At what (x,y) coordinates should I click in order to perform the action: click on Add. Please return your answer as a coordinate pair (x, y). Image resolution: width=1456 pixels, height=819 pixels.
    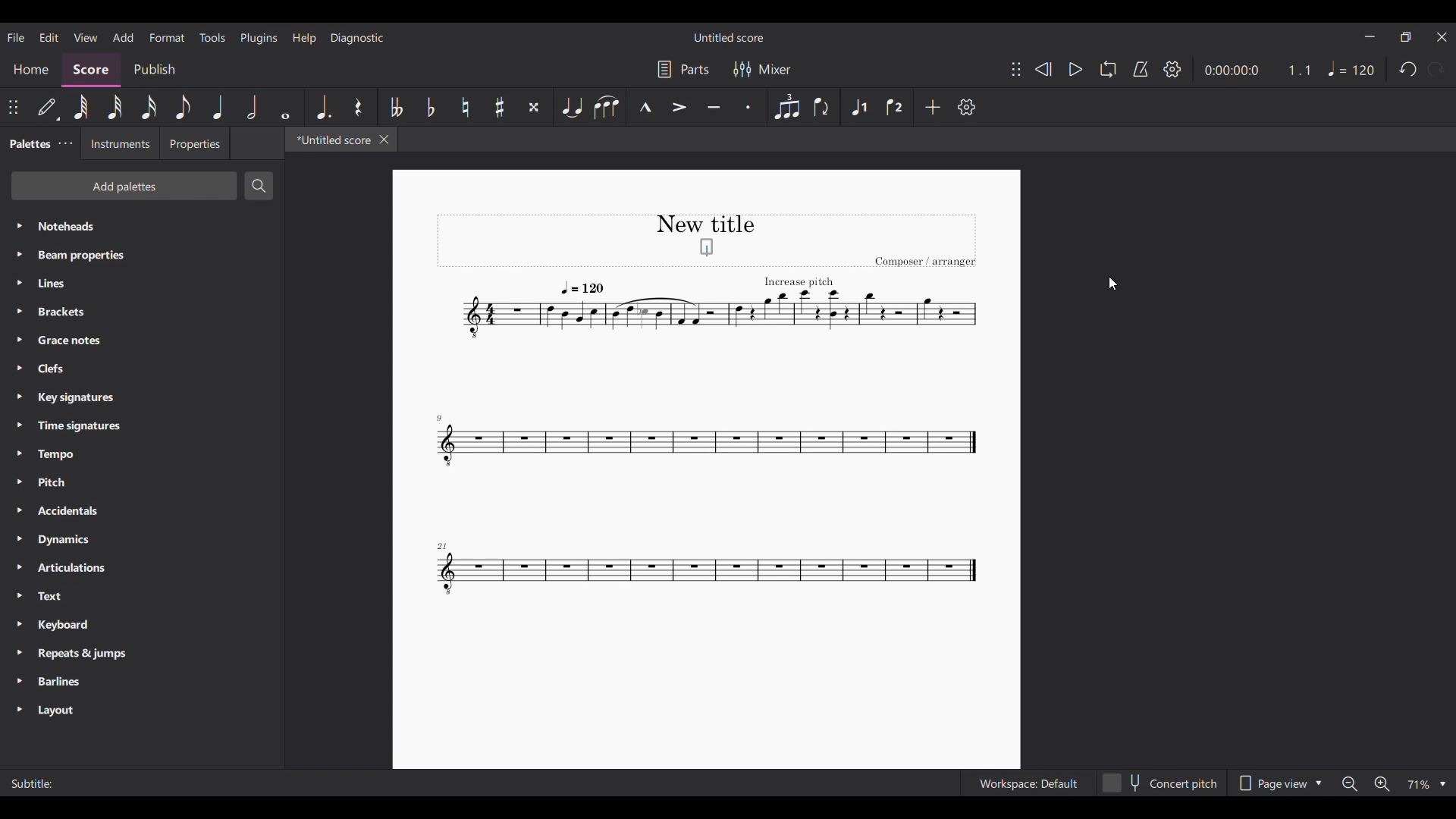
    Looking at the image, I should click on (934, 107).